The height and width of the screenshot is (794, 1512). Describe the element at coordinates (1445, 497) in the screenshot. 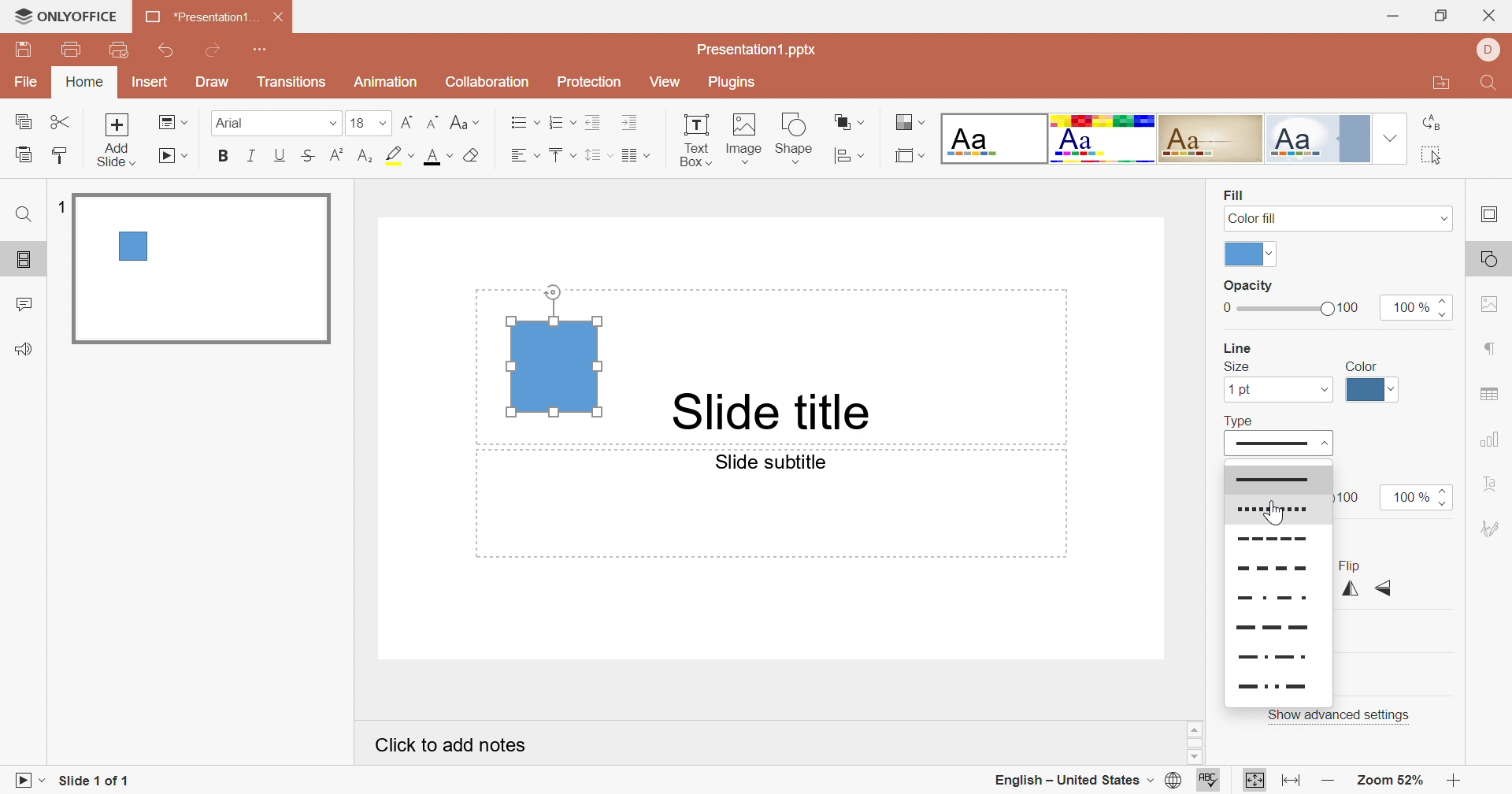

I see `Slider` at that location.